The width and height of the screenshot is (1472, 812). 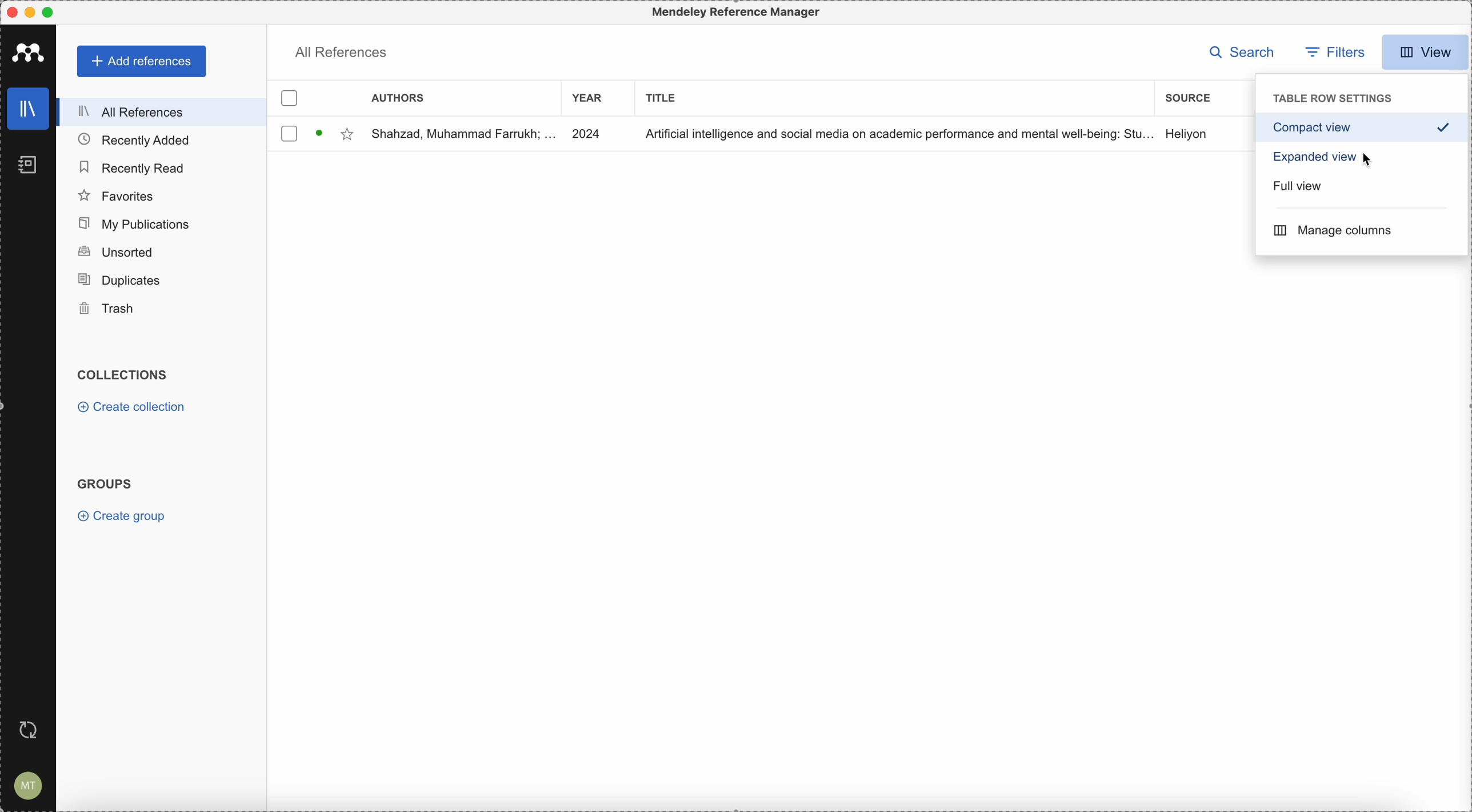 I want to click on manage columns, so click(x=1332, y=230).